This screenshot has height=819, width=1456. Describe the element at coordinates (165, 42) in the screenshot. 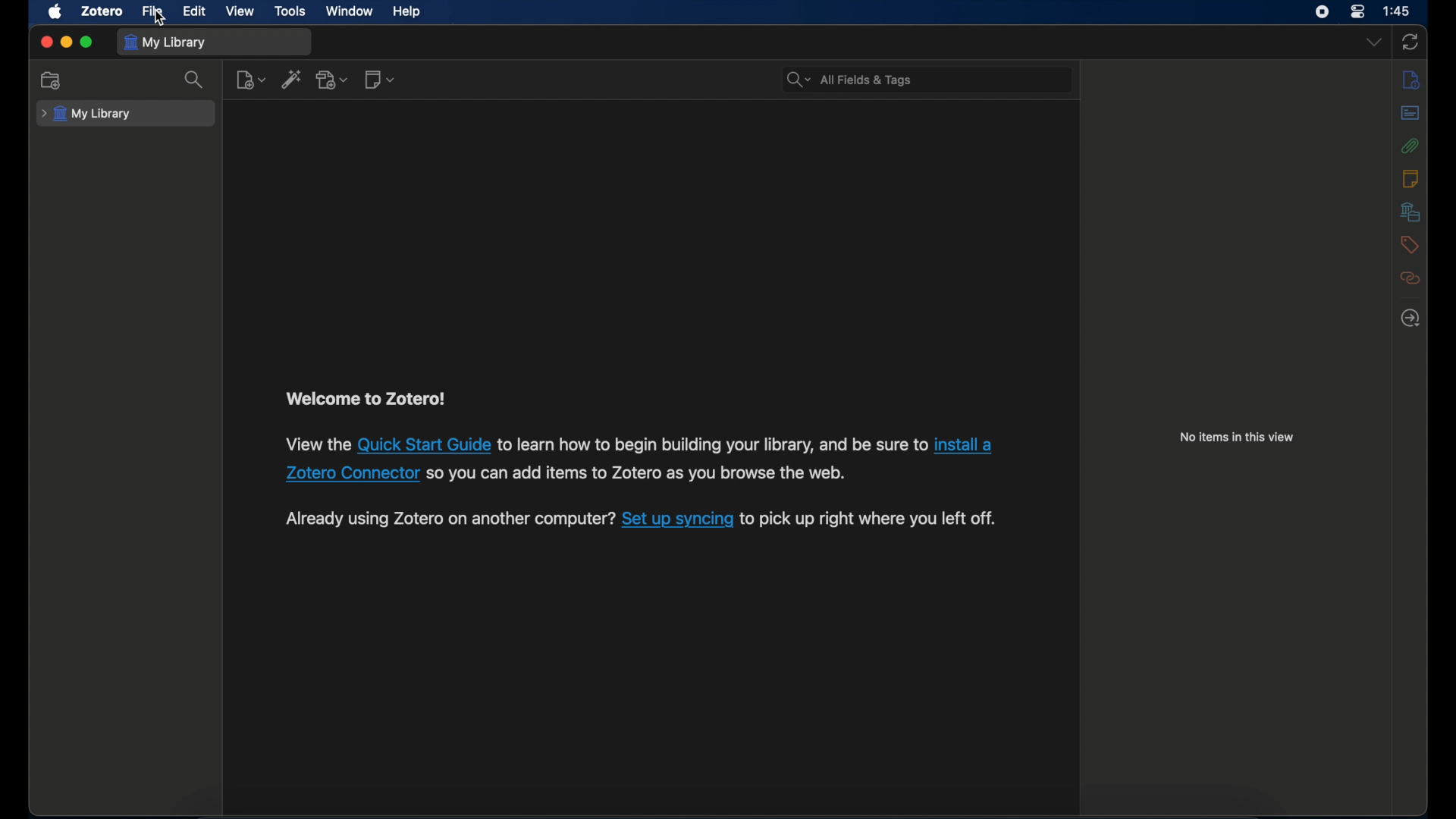

I see `my library` at that location.